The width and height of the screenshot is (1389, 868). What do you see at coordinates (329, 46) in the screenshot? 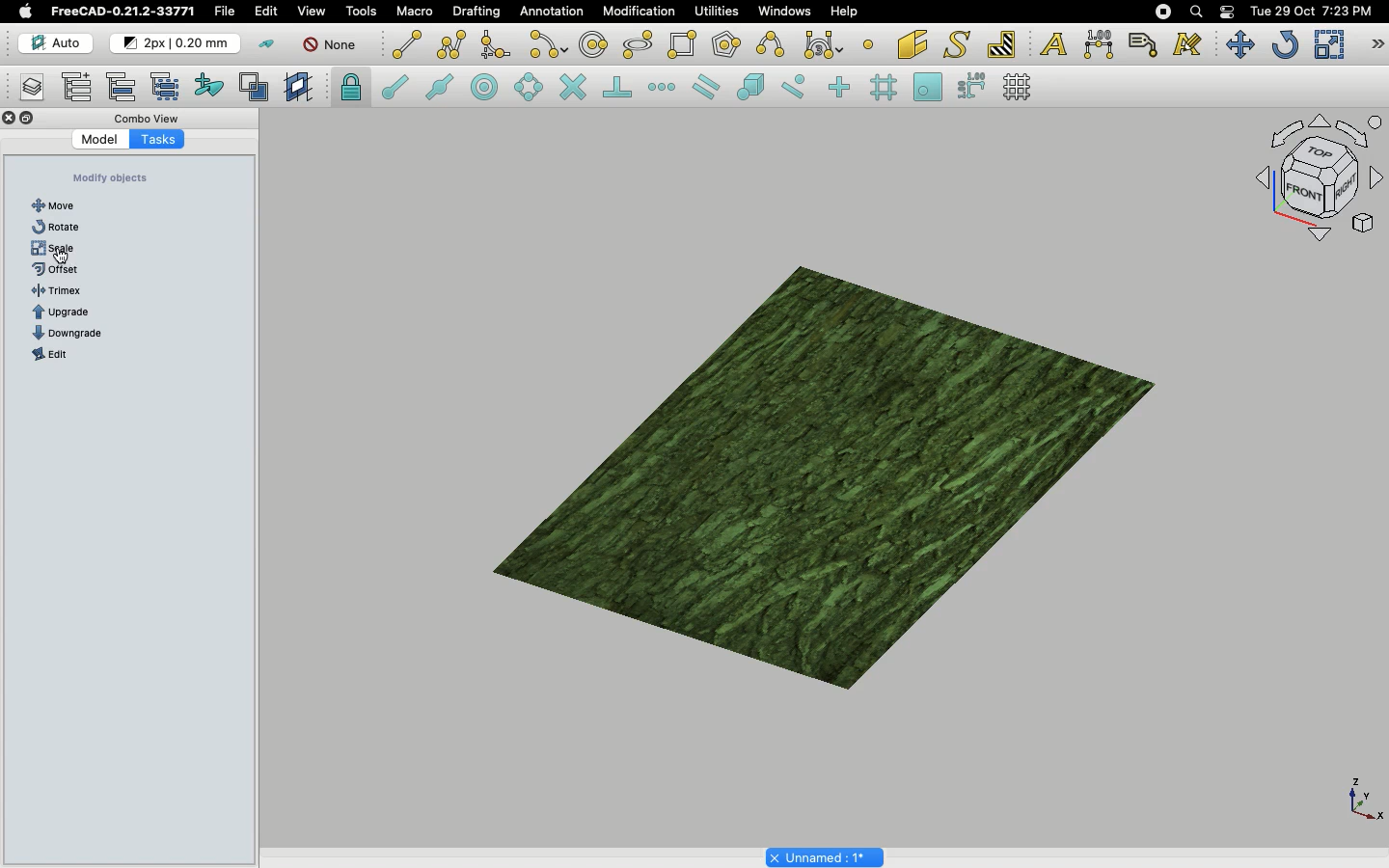
I see `None` at bounding box center [329, 46].